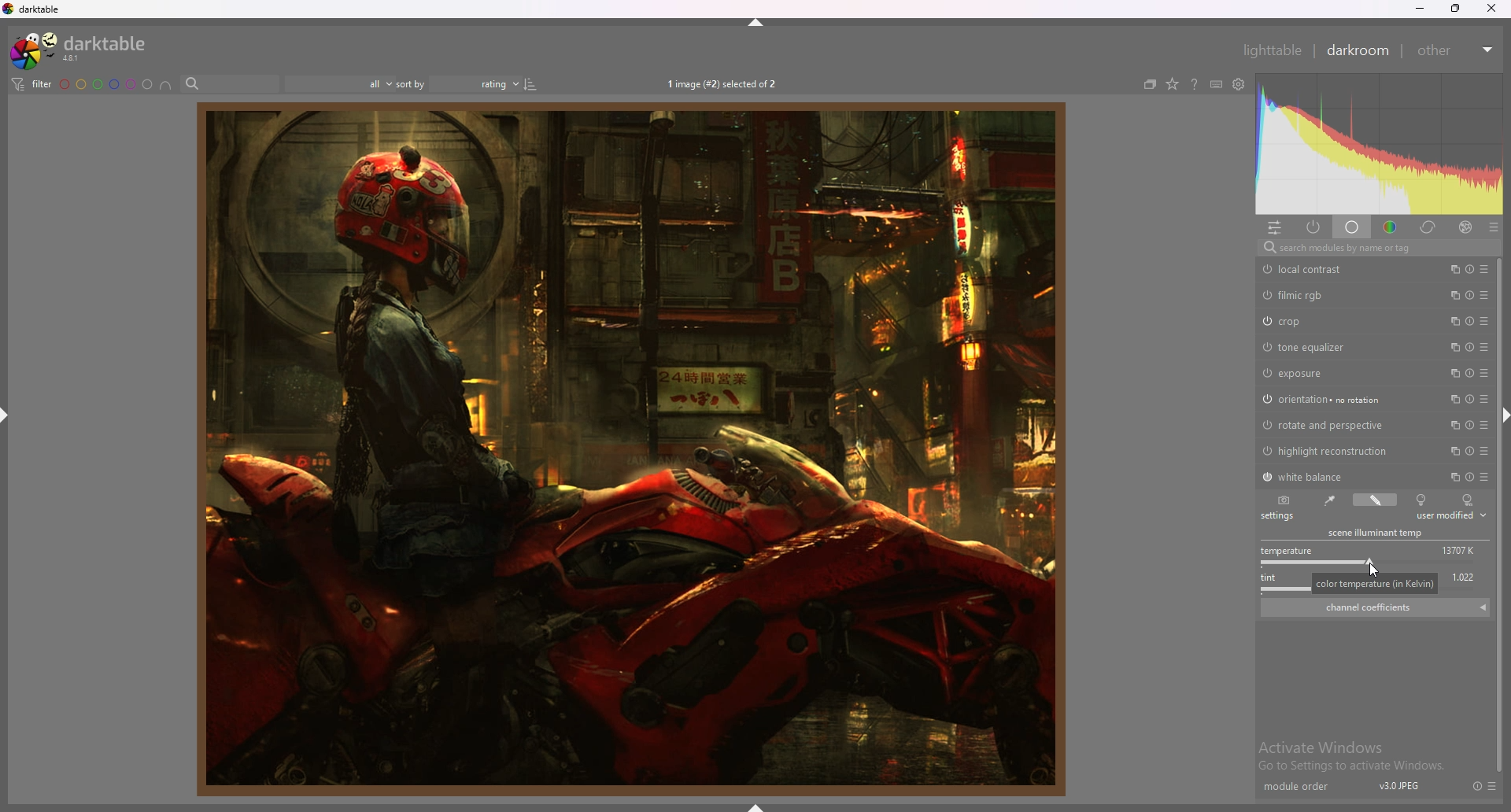 Image resolution: width=1511 pixels, height=812 pixels. Describe the element at coordinates (1390, 228) in the screenshot. I see `color` at that location.